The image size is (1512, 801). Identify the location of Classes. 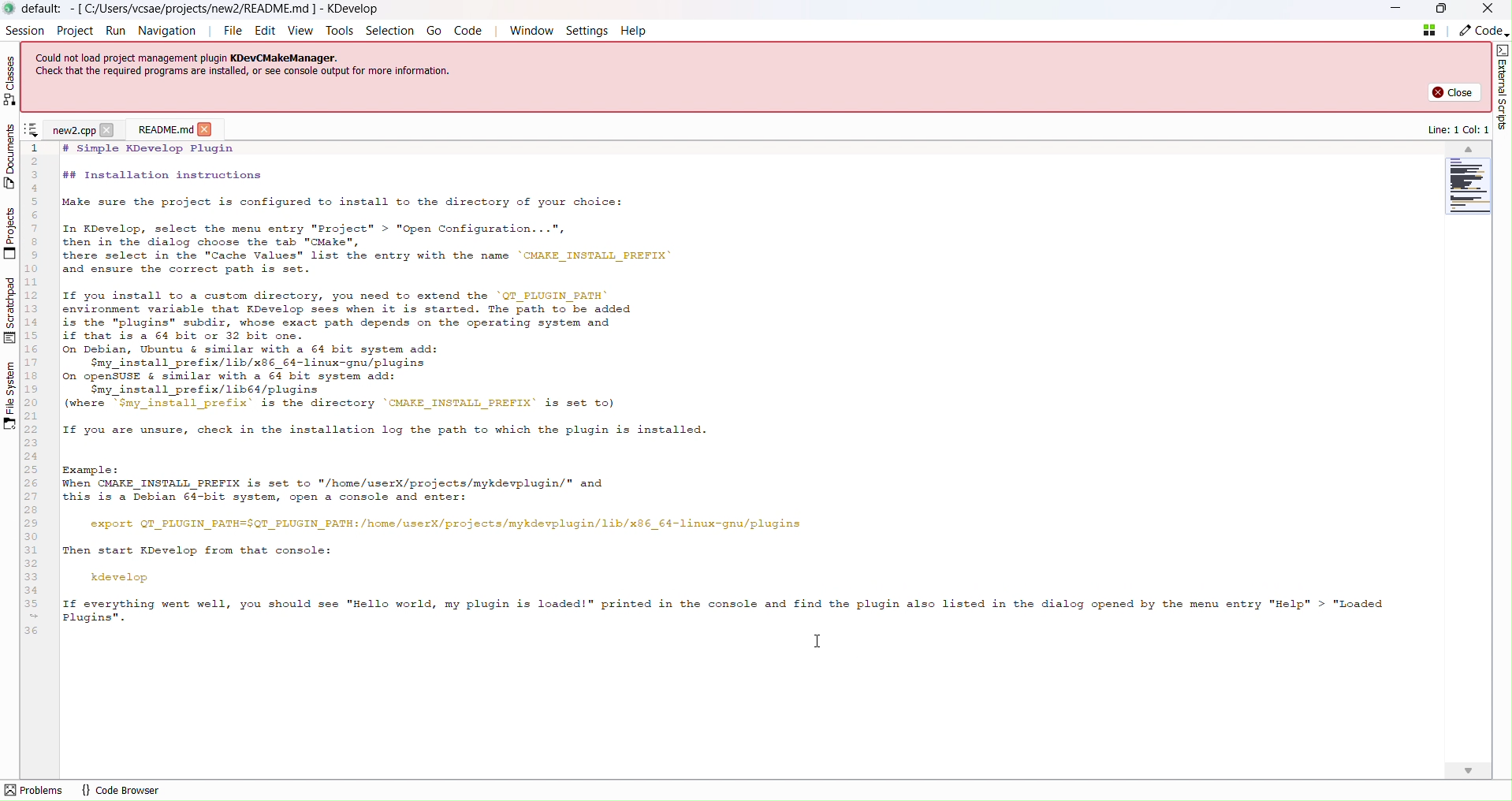
(15, 80).